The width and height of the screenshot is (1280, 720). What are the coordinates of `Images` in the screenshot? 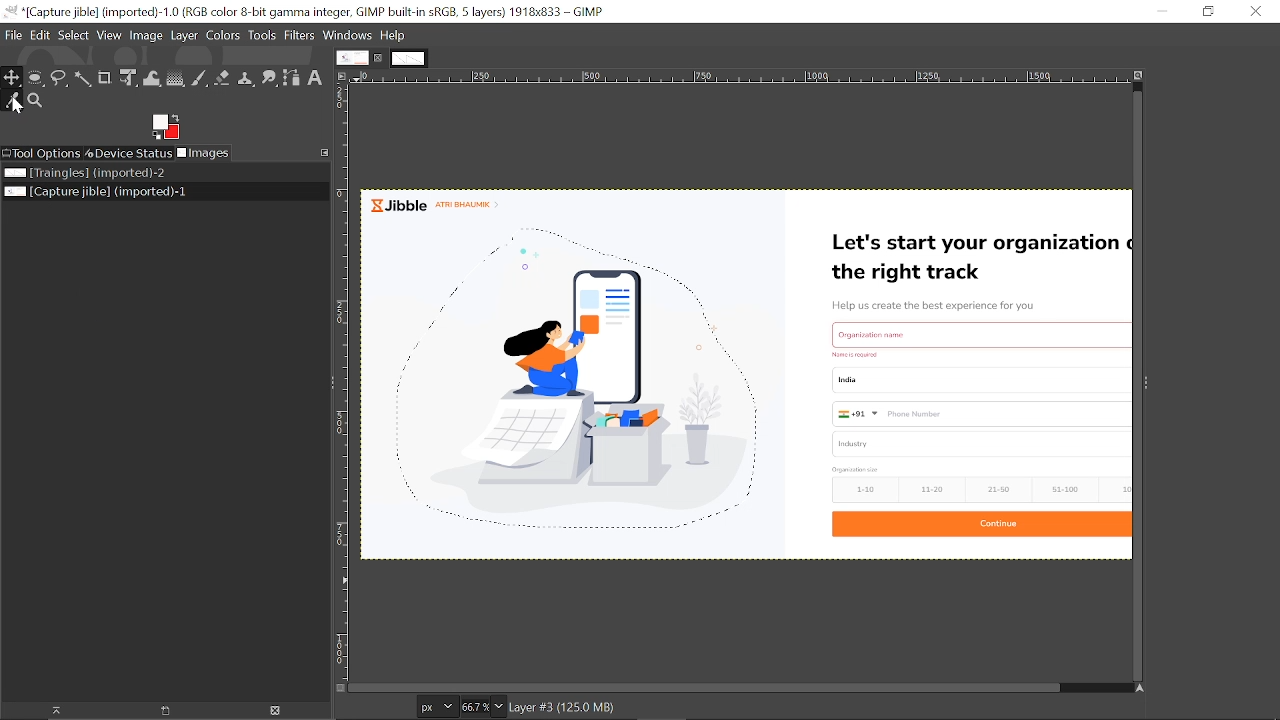 It's located at (203, 153).